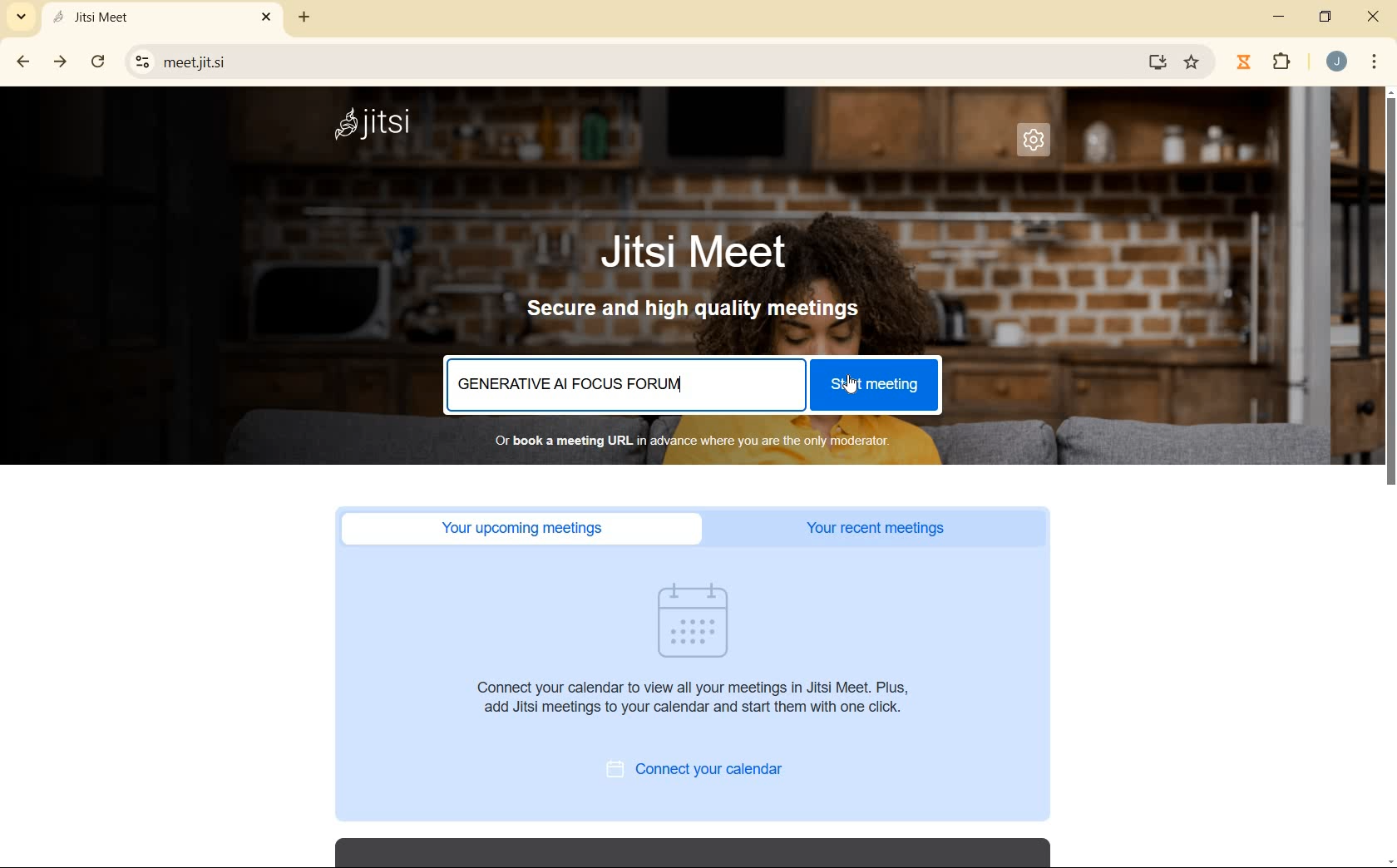 This screenshot has height=868, width=1397. I want to click on ACCOUNT, so click(1337, 62).